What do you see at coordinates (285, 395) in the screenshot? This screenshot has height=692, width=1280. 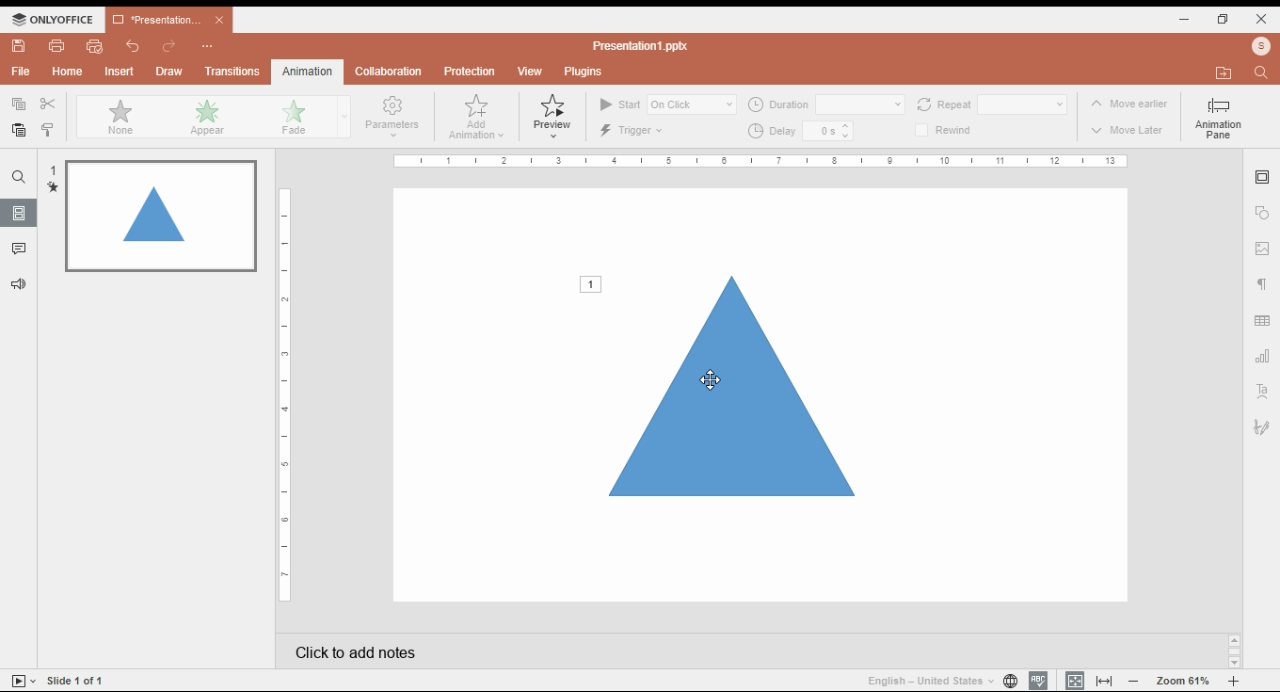 I see `vwettical scale` at bounding box center [285, 395].